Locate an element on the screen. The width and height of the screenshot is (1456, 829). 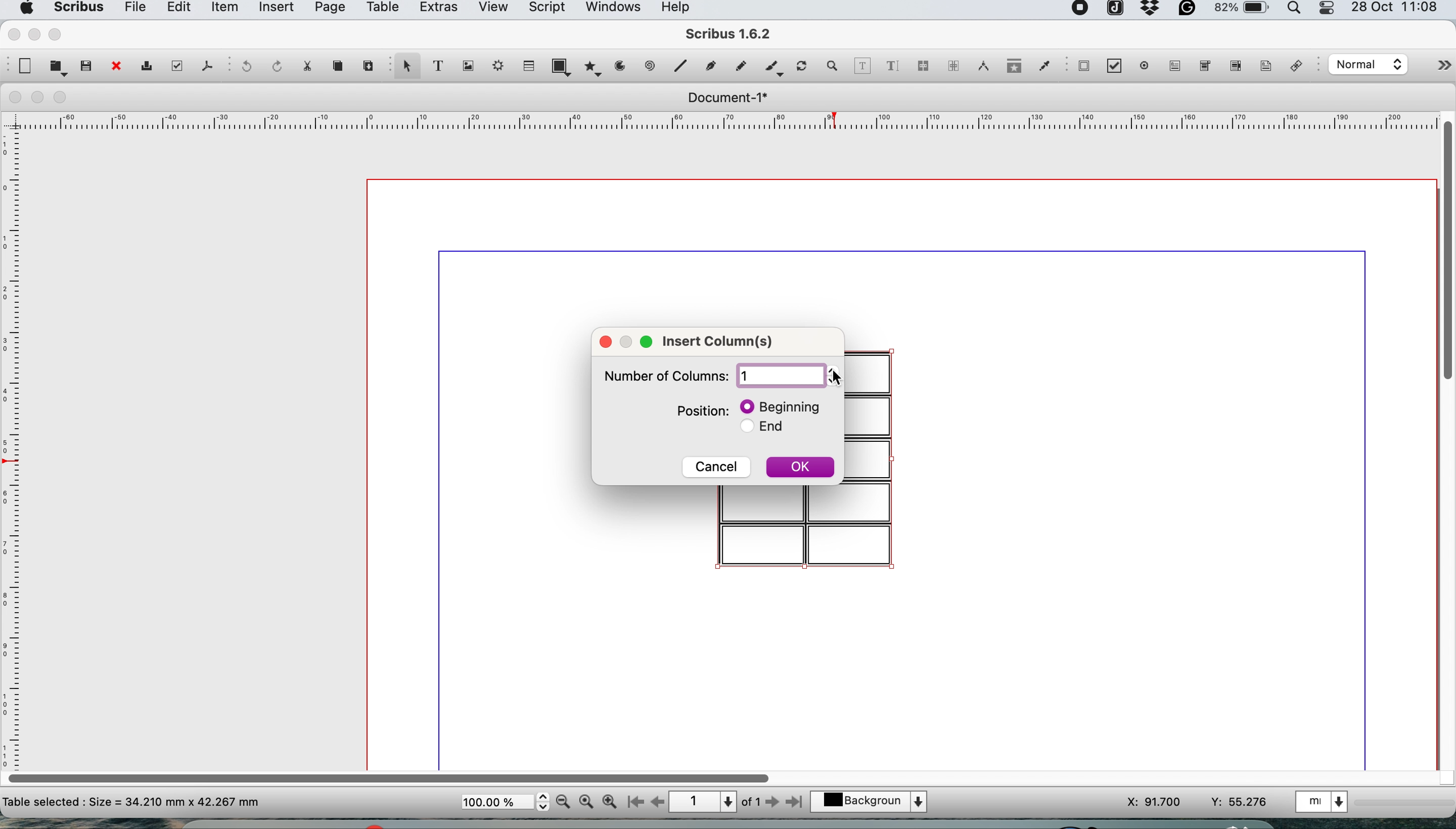
save is located at coordinates (87, 65).